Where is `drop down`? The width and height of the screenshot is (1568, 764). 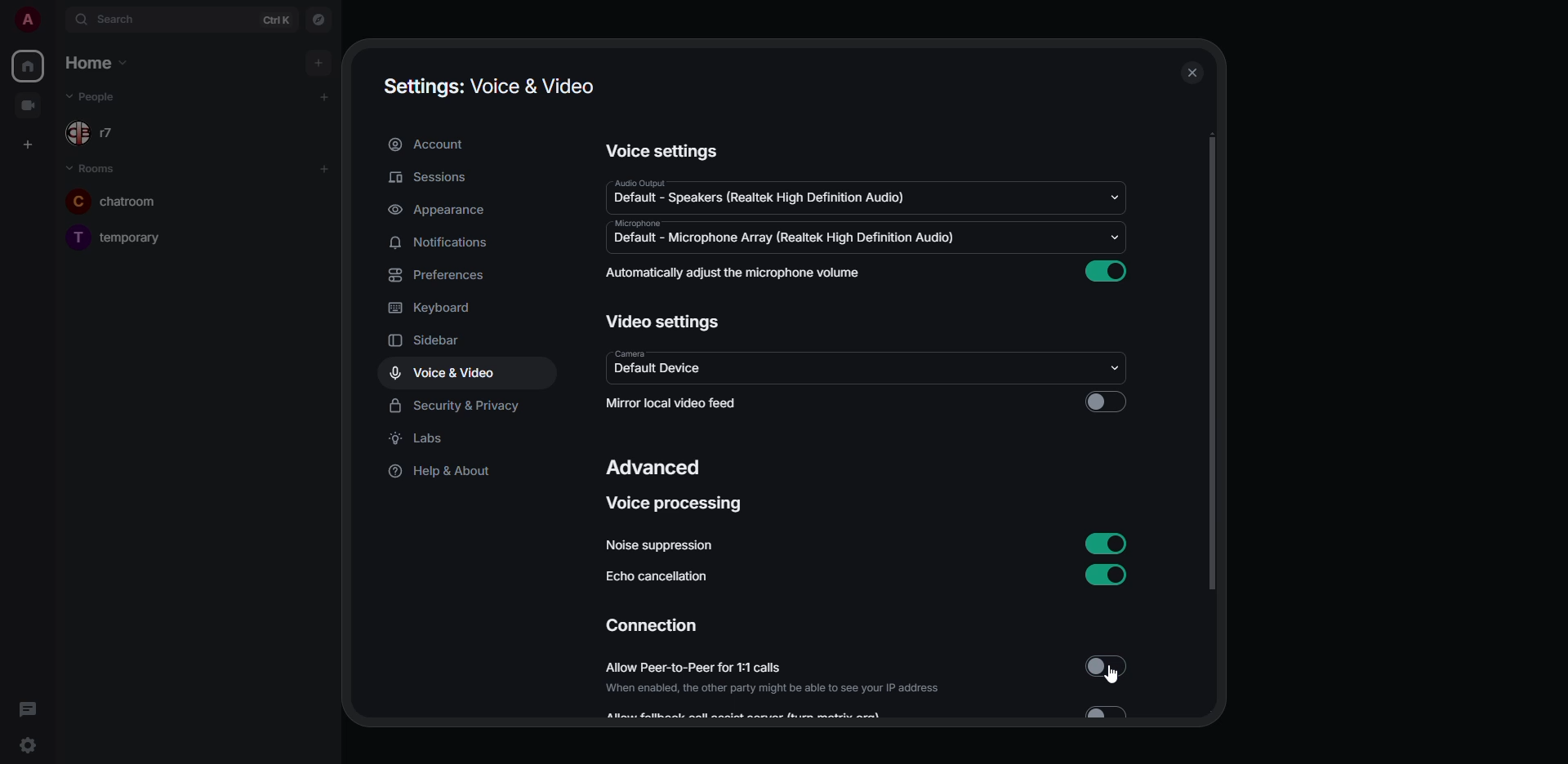
drop down is located at coordinates (1120, 366).